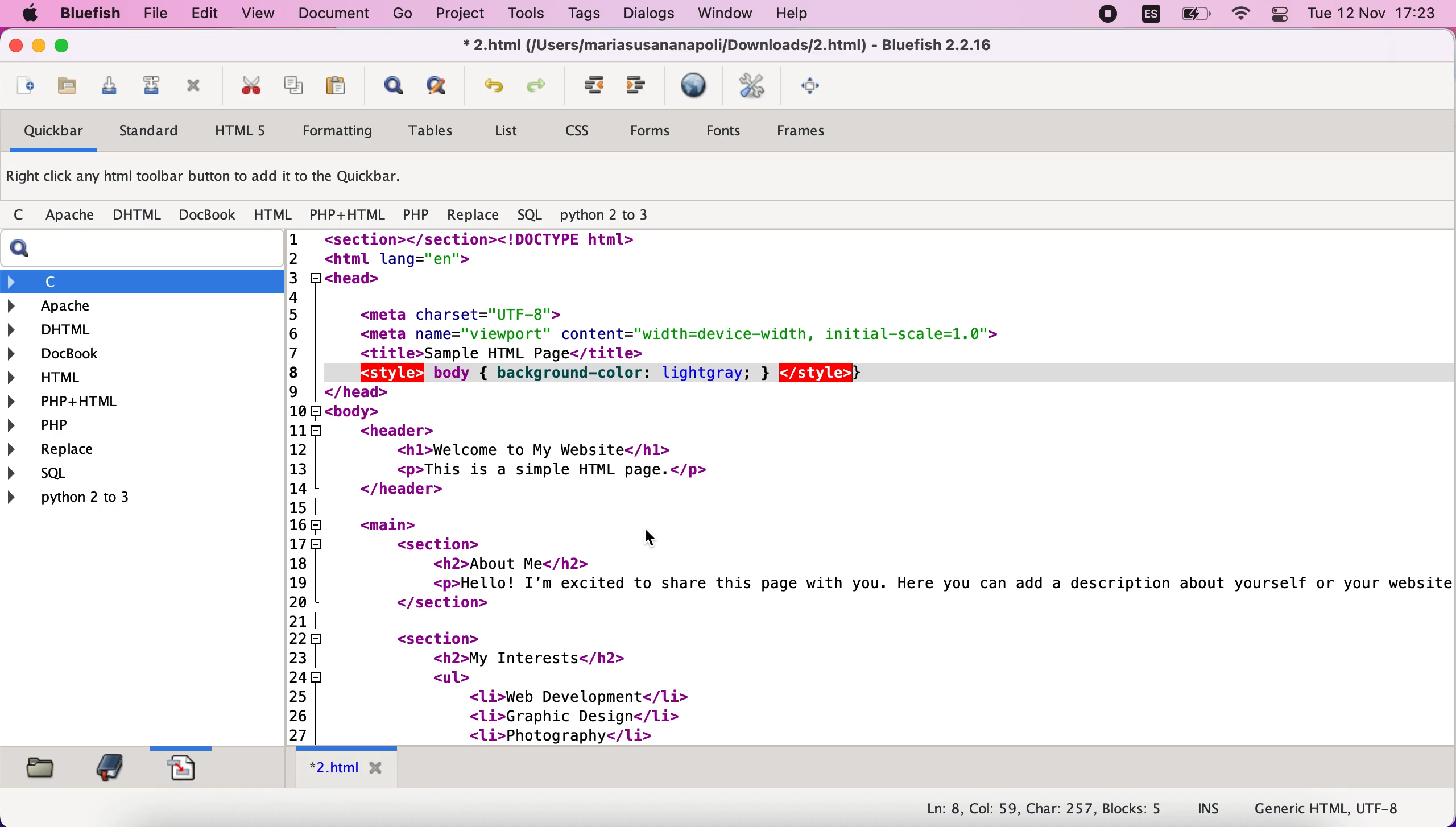 The width and height of the screenshot is (1456, 827). Describe the element at coordinates (340, 86) in the screenshot. I see `paste` at that location.